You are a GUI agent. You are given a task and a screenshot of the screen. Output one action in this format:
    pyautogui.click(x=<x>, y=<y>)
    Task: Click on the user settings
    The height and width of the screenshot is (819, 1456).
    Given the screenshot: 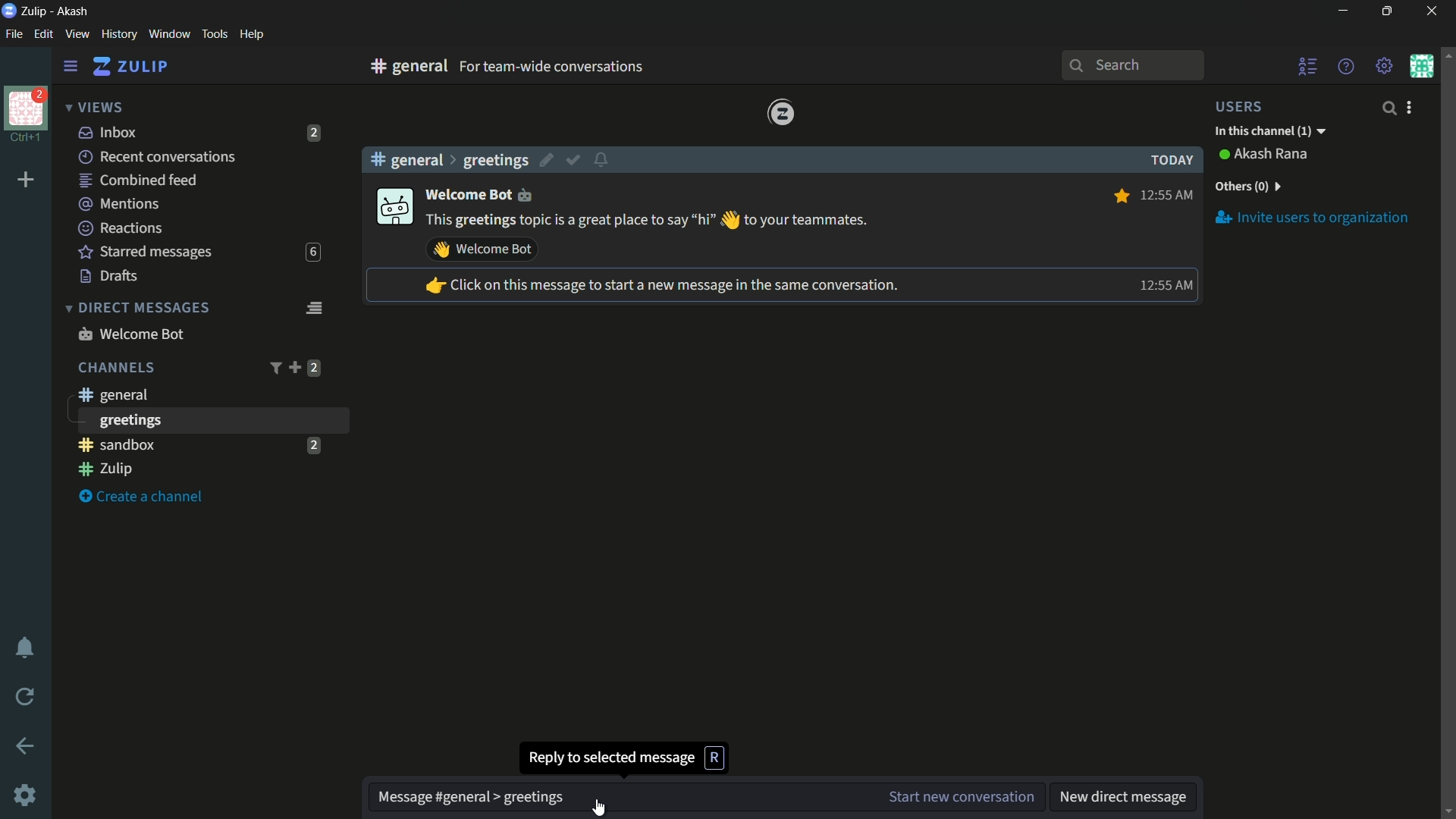 What is the action you would take?
    pyautogui.click(x=1412, y=107)
    